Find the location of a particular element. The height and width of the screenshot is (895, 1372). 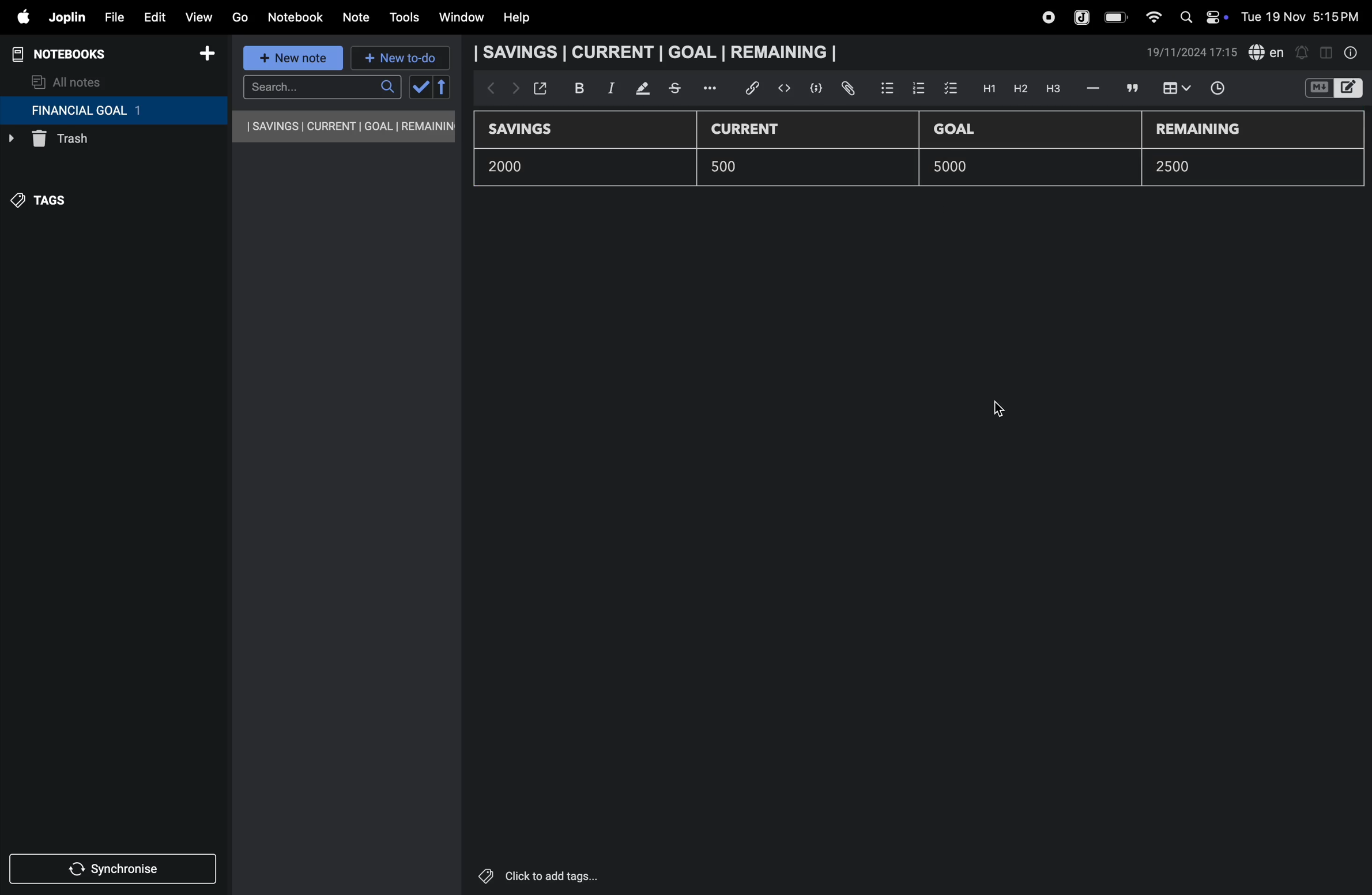

toggle editor is located at coordinates (1326, 51).